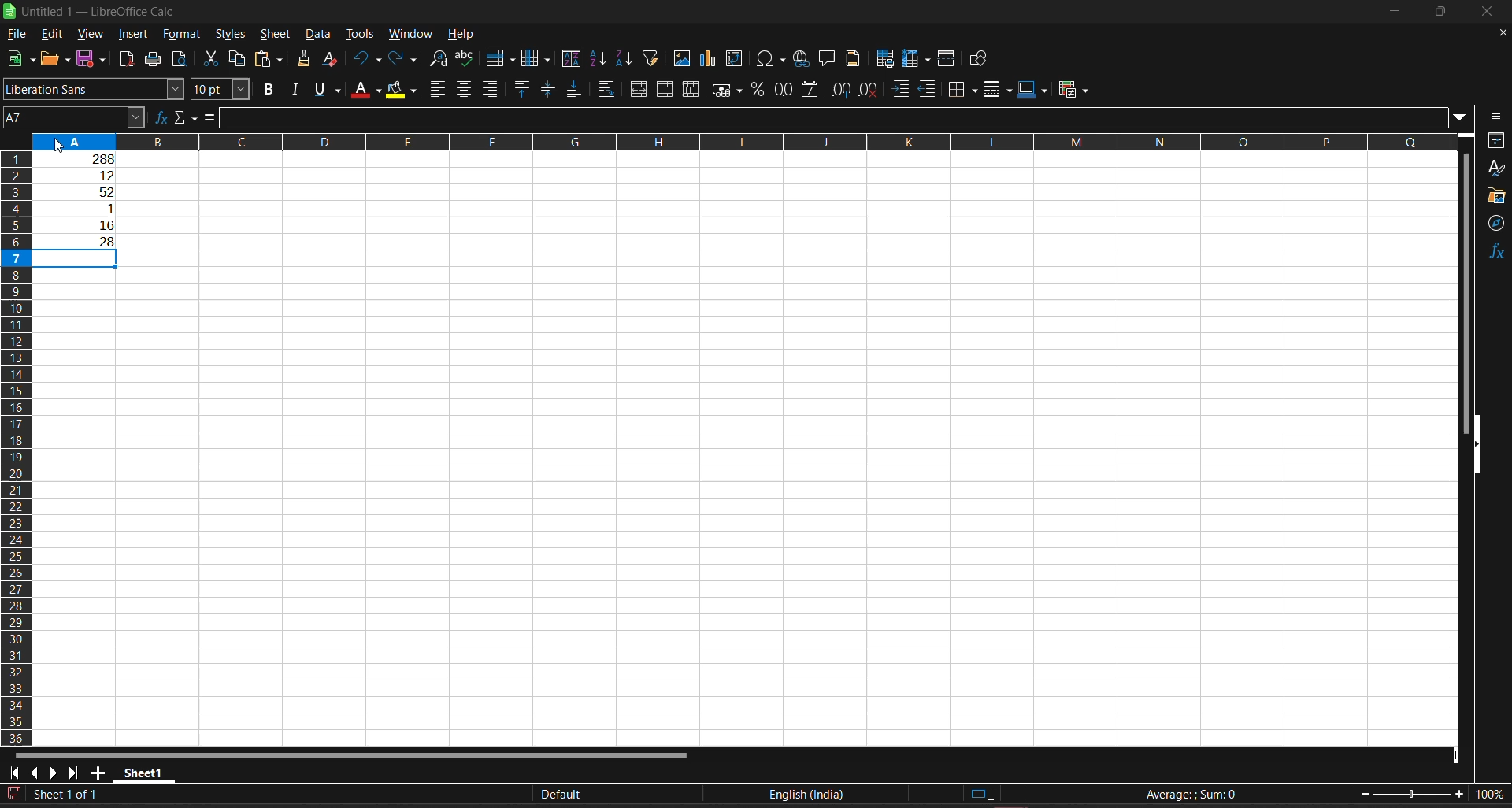 Image resolution: width=1512 pixels, height=808 pixels. What do you see at coordinates (625, 60) in the screenshot?
I see `sort descending` at bounding box center [625, 60].